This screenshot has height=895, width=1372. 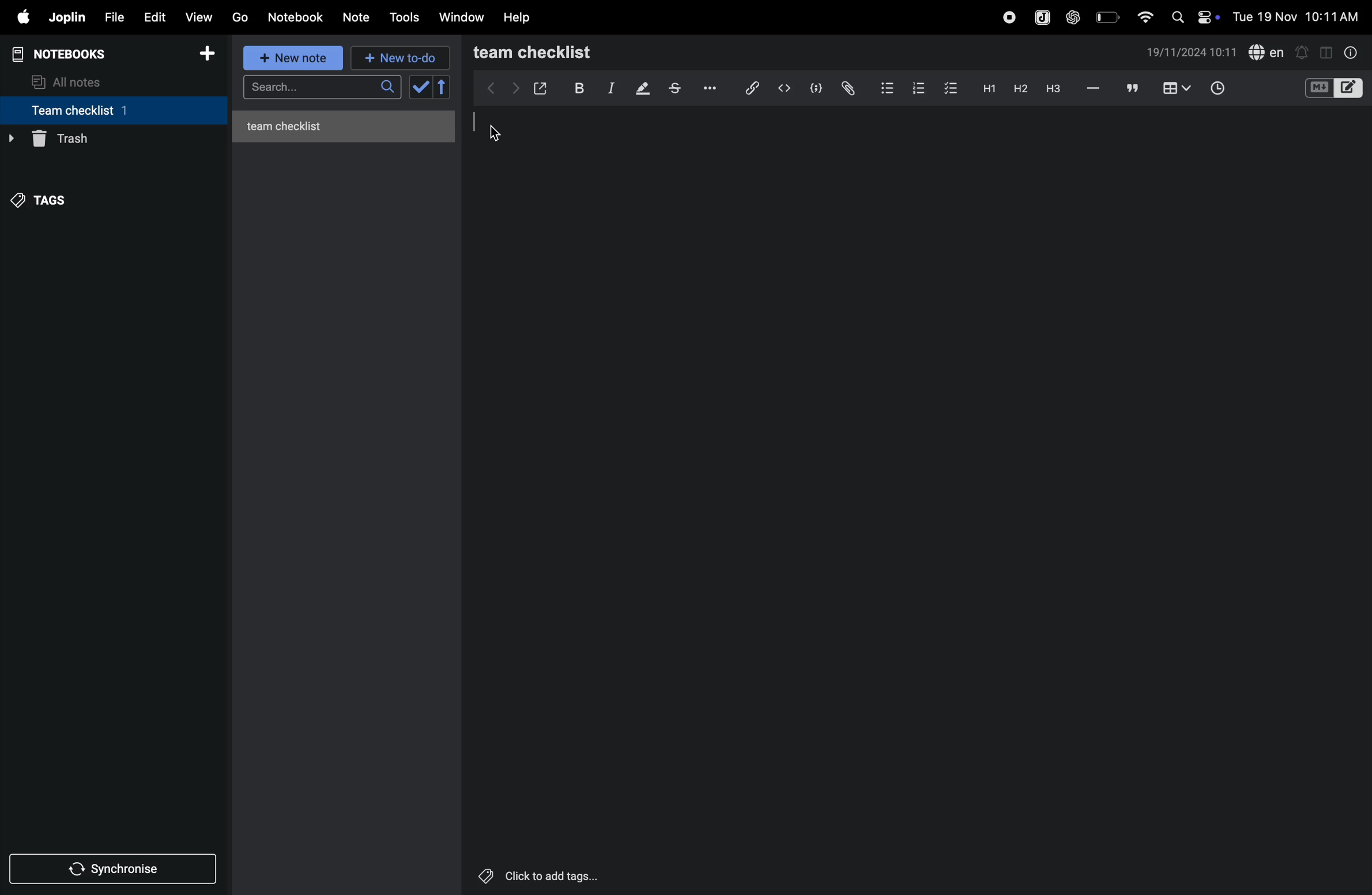 I want to click on add, so click(x=212, y=54).